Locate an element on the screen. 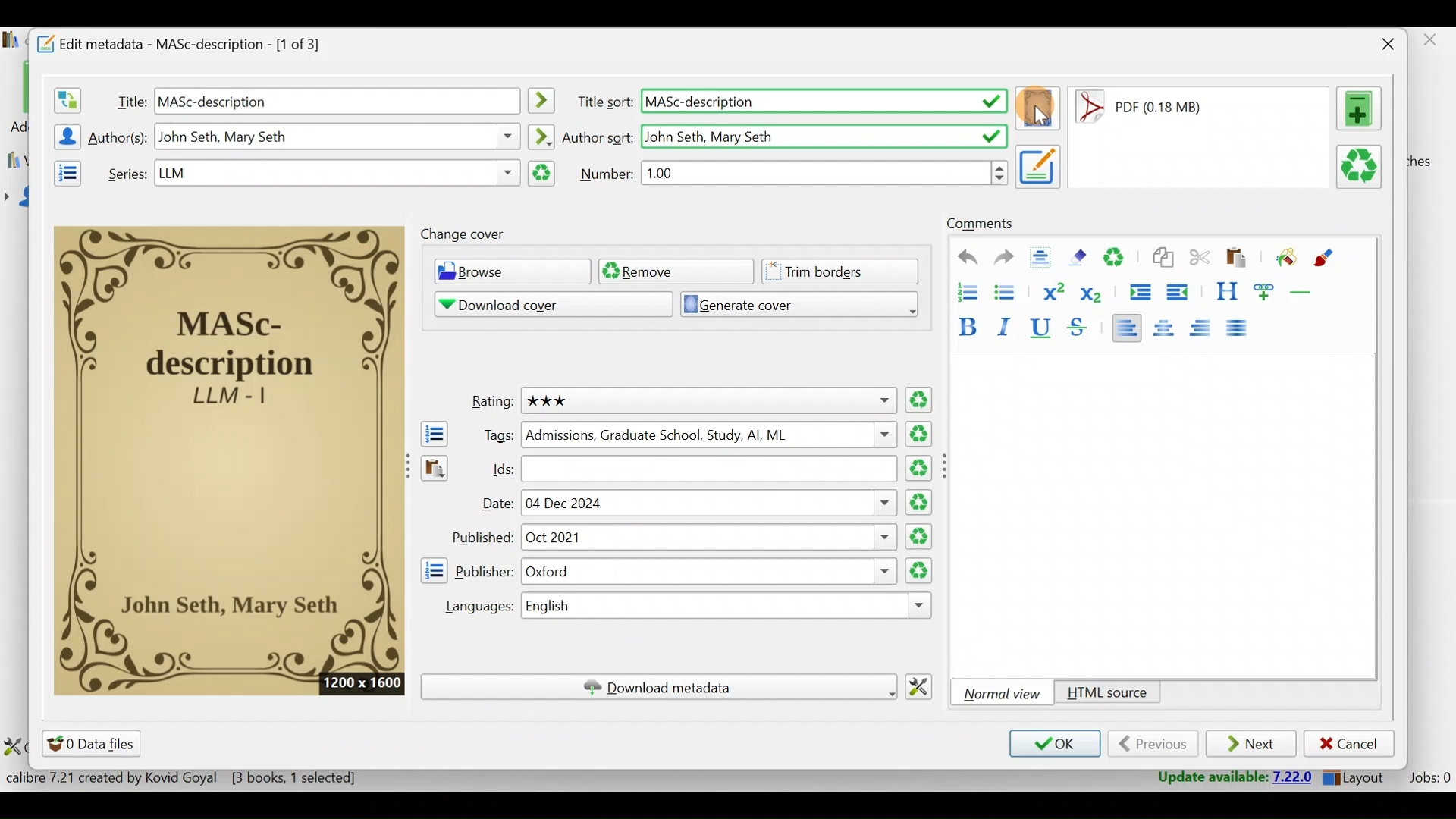  Align right is located at coordinates (1205, 328).